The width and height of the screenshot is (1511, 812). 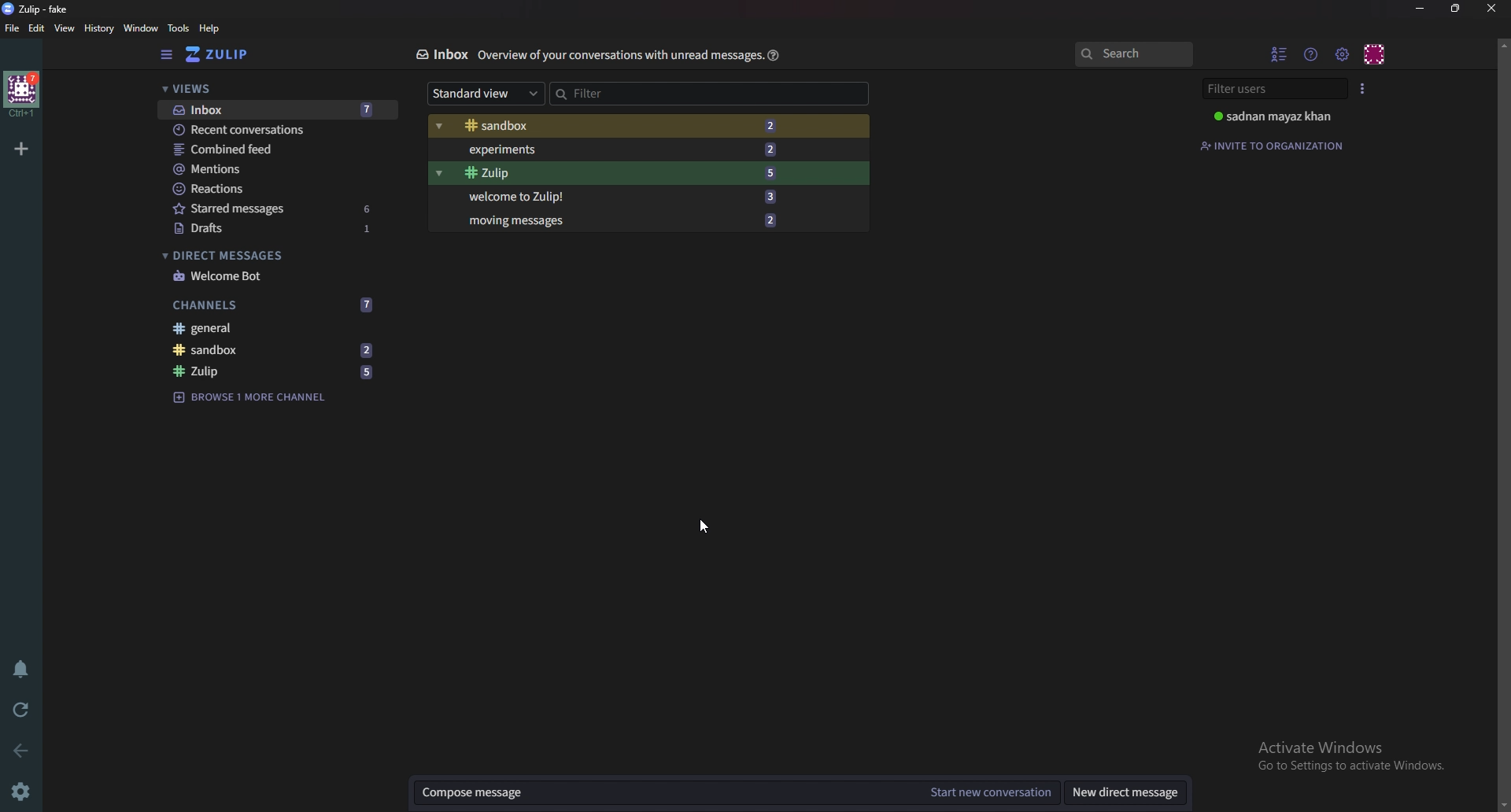 What do you see at coordinates (264, 149) in the screenshot?
I see `Combined feed` at bounding box center [264, 149].